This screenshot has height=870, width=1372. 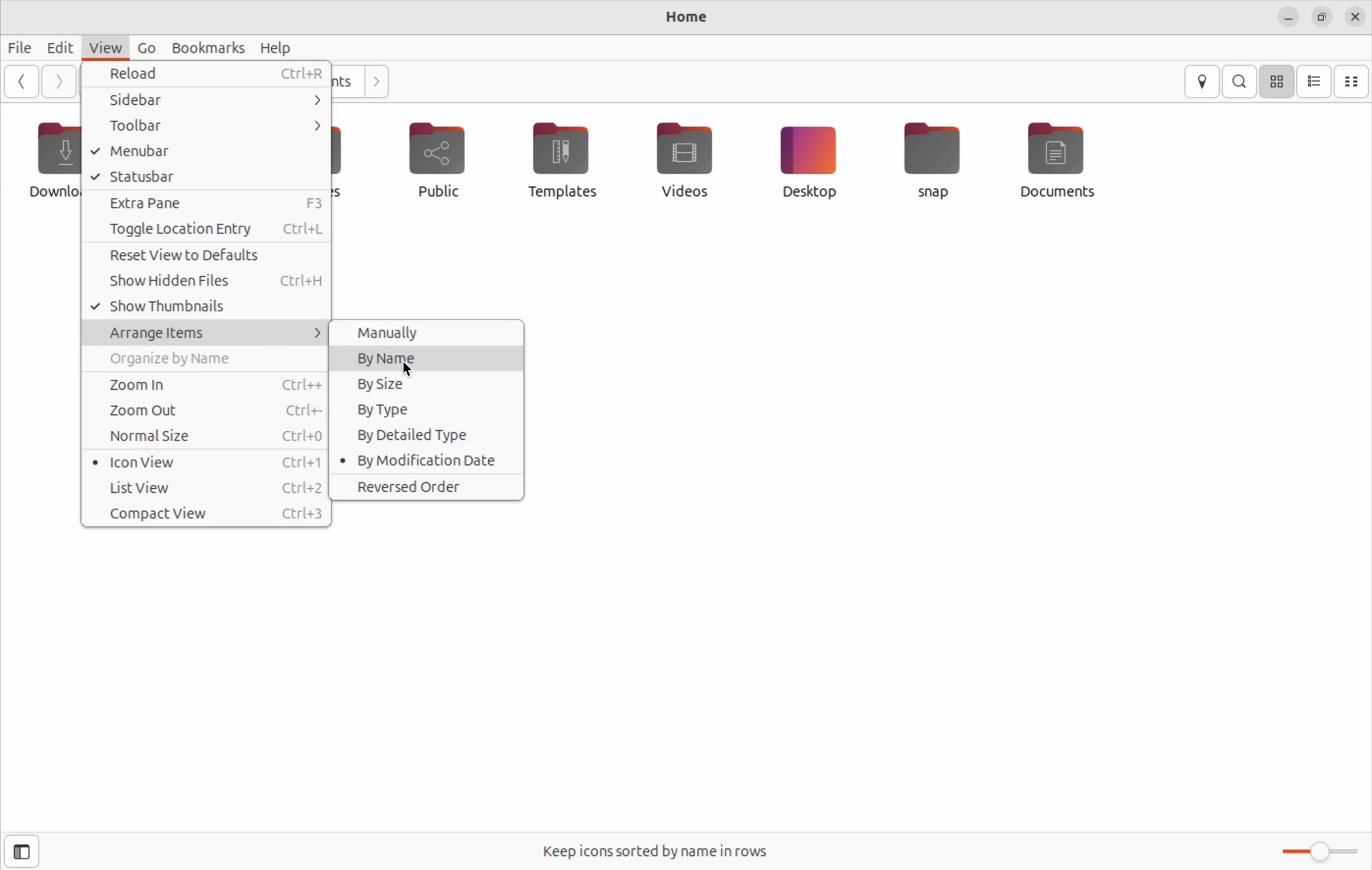 I want to click on icon view, so click(x=1315, y=81).